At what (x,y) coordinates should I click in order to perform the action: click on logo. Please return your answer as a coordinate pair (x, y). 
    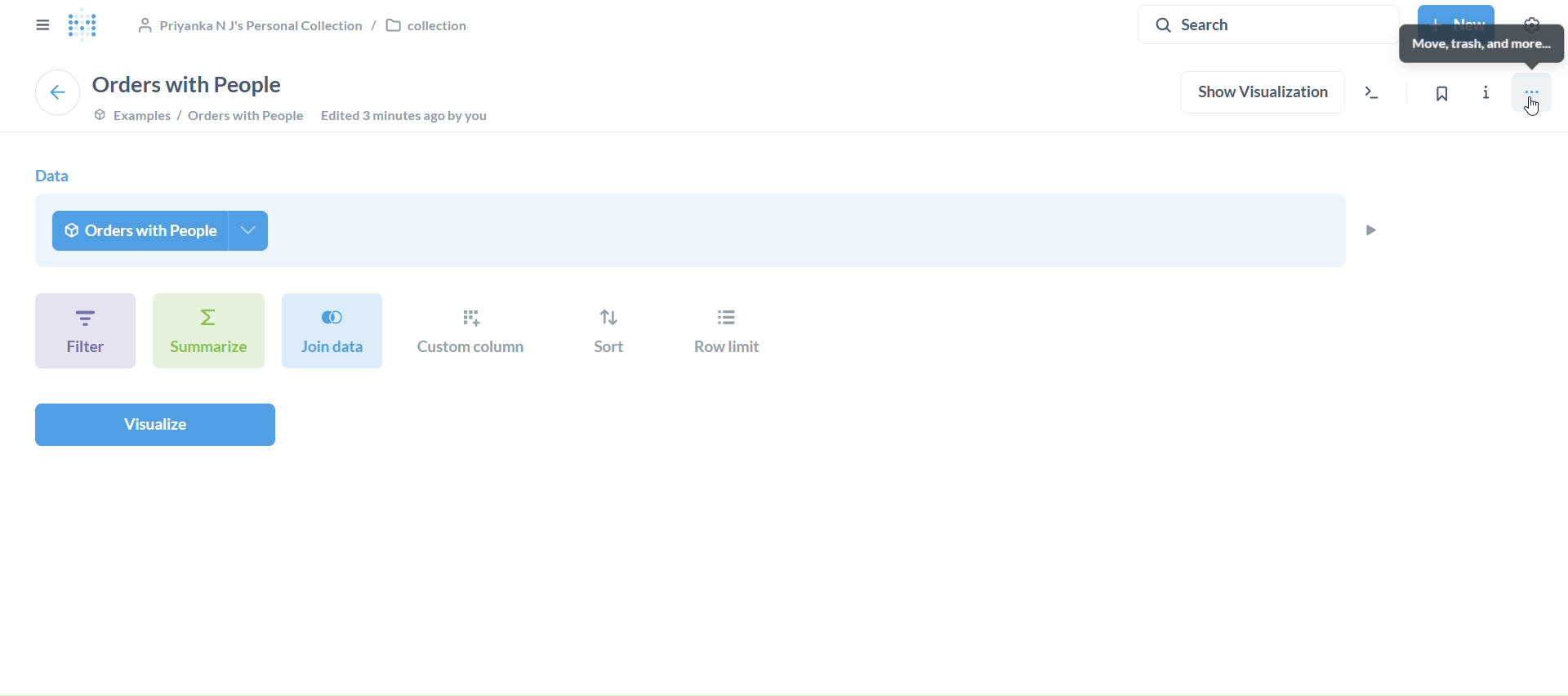
    Looking at the image, I should click on (89, 28).